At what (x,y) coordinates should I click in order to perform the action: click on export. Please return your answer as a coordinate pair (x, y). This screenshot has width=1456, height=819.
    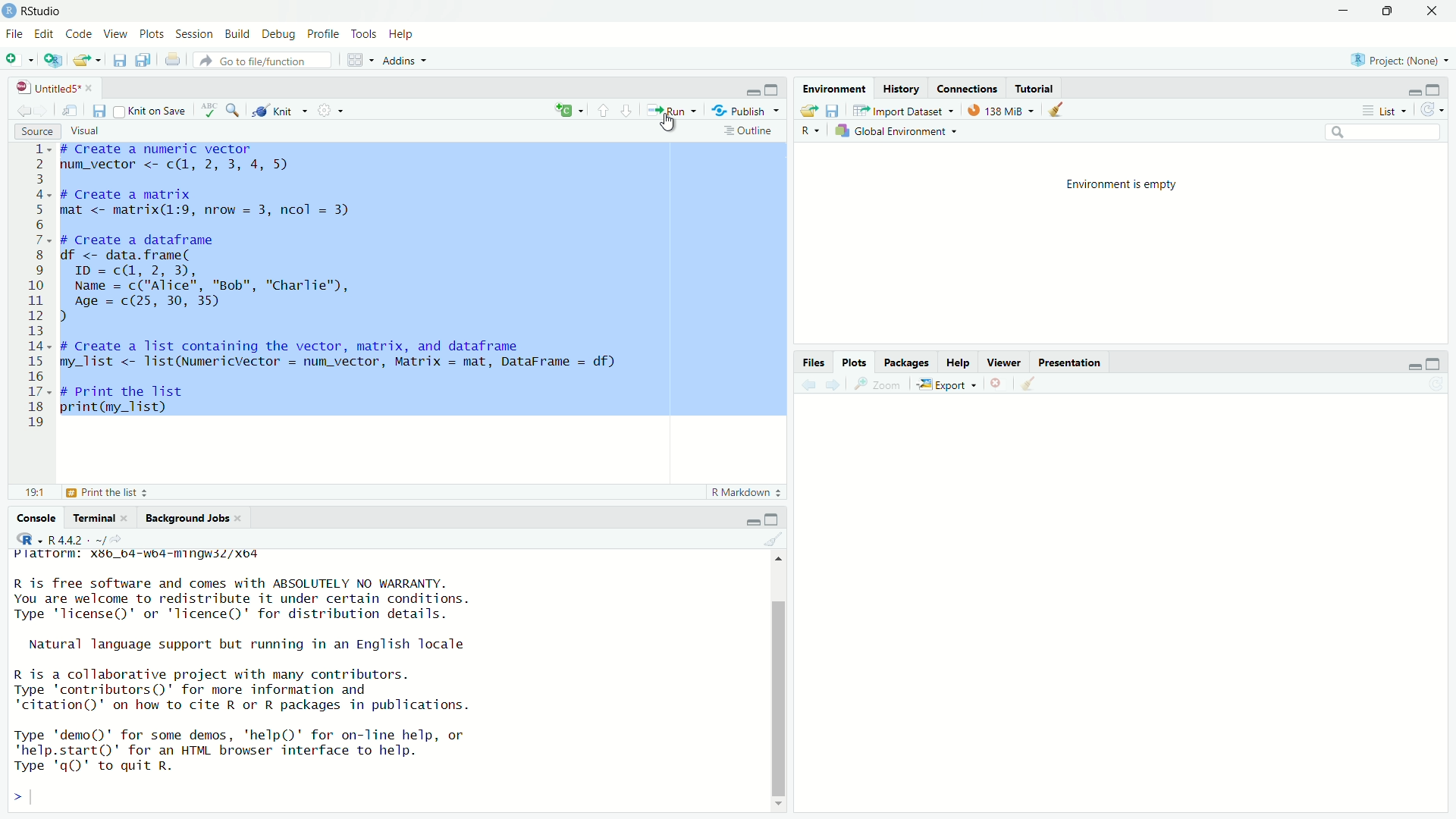
    Looking at the image, I should click on (806, 111).